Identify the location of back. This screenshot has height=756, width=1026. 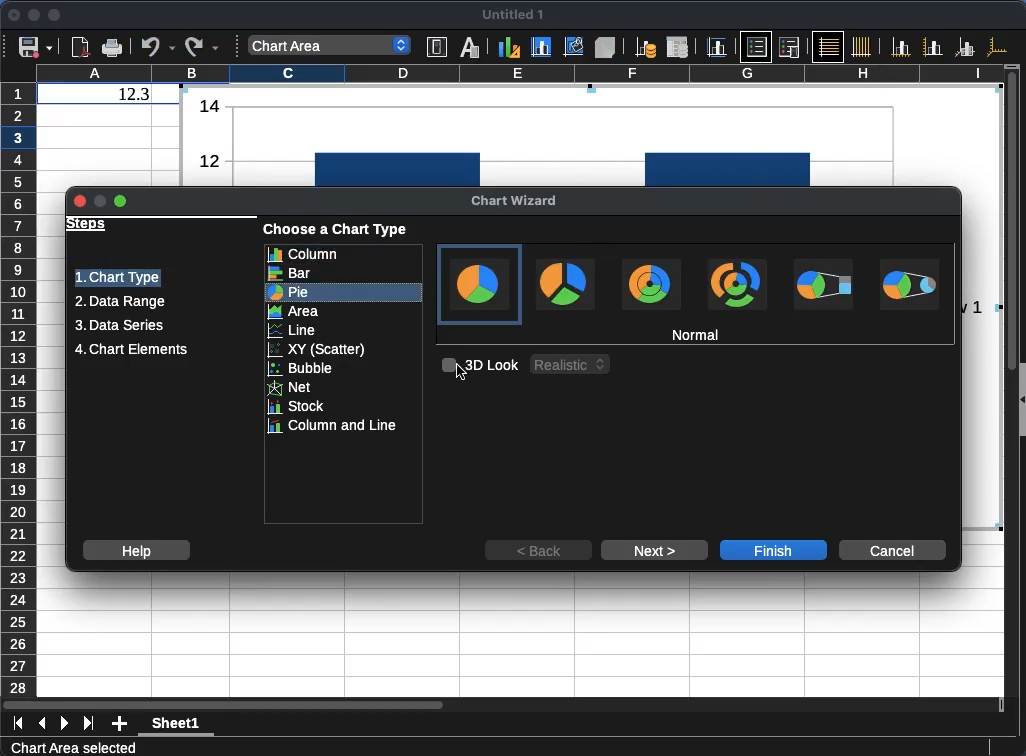
(538, 550).